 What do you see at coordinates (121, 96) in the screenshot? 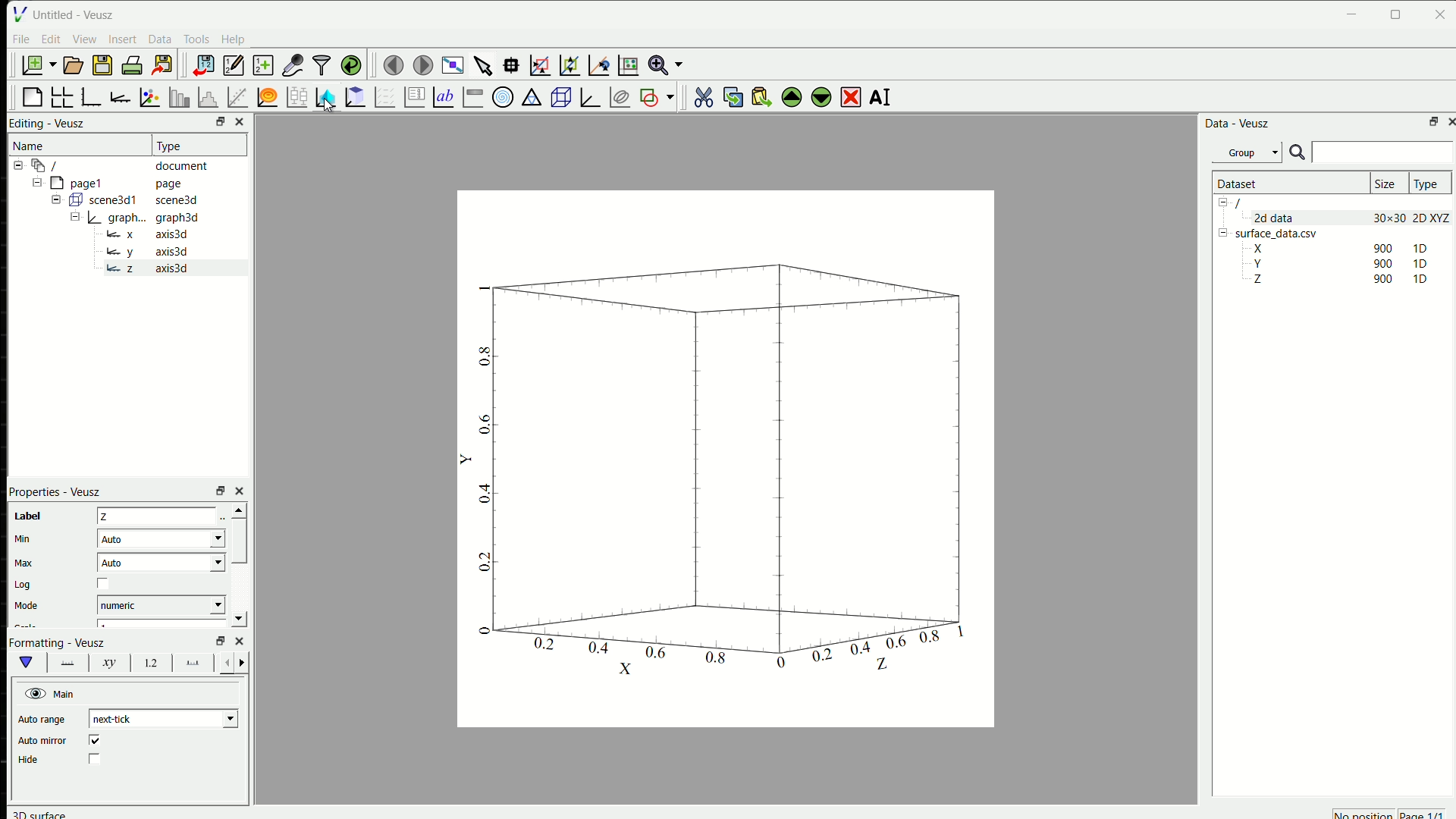
I see `add an axis to the plot` at bounding box center [121, 96].